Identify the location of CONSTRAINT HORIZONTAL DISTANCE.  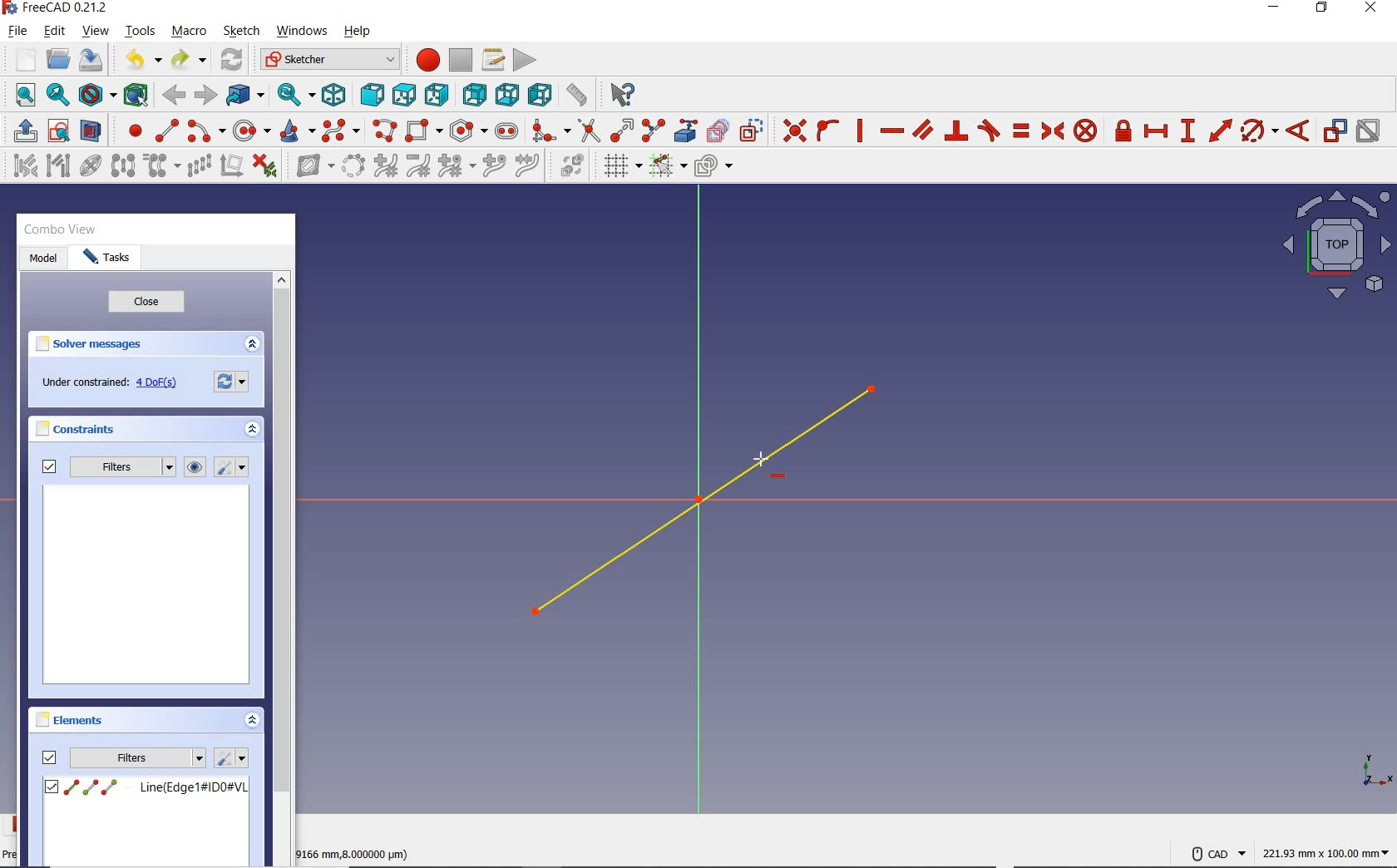
(1155, 132).